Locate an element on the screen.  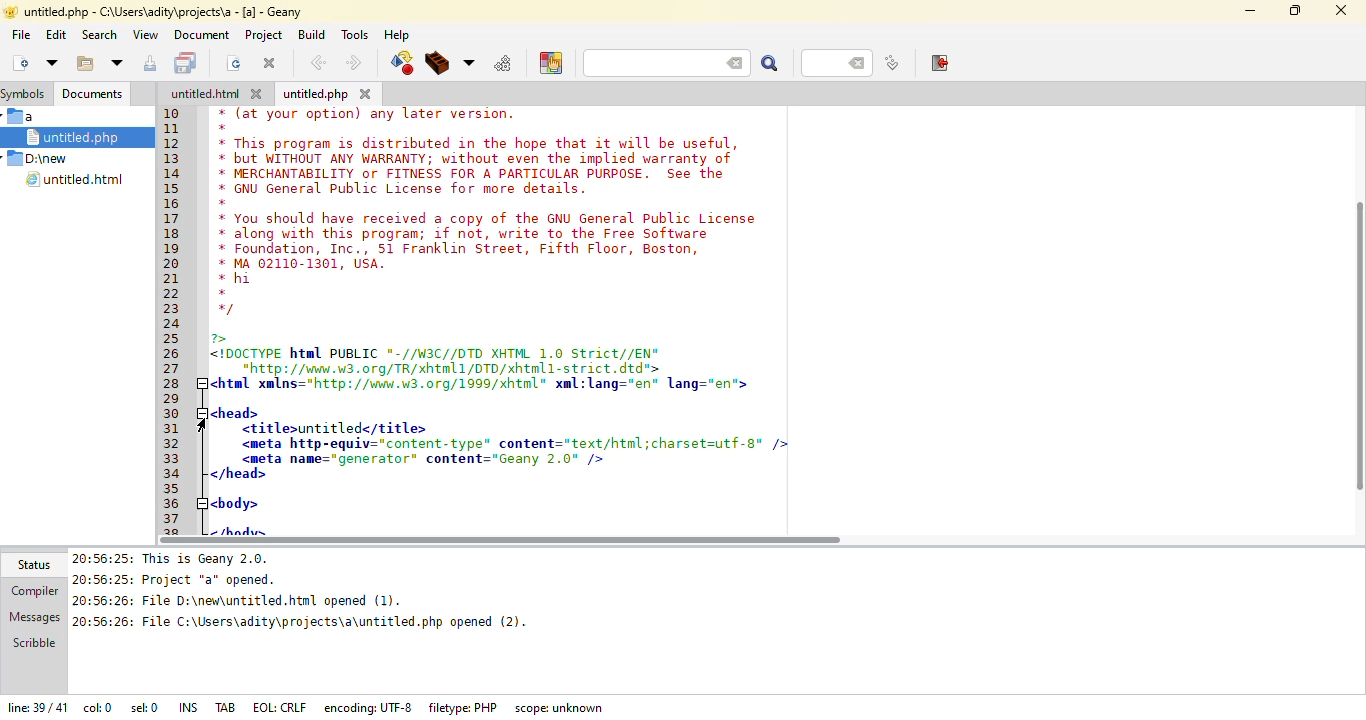
save is located at coordinates (150, 63).